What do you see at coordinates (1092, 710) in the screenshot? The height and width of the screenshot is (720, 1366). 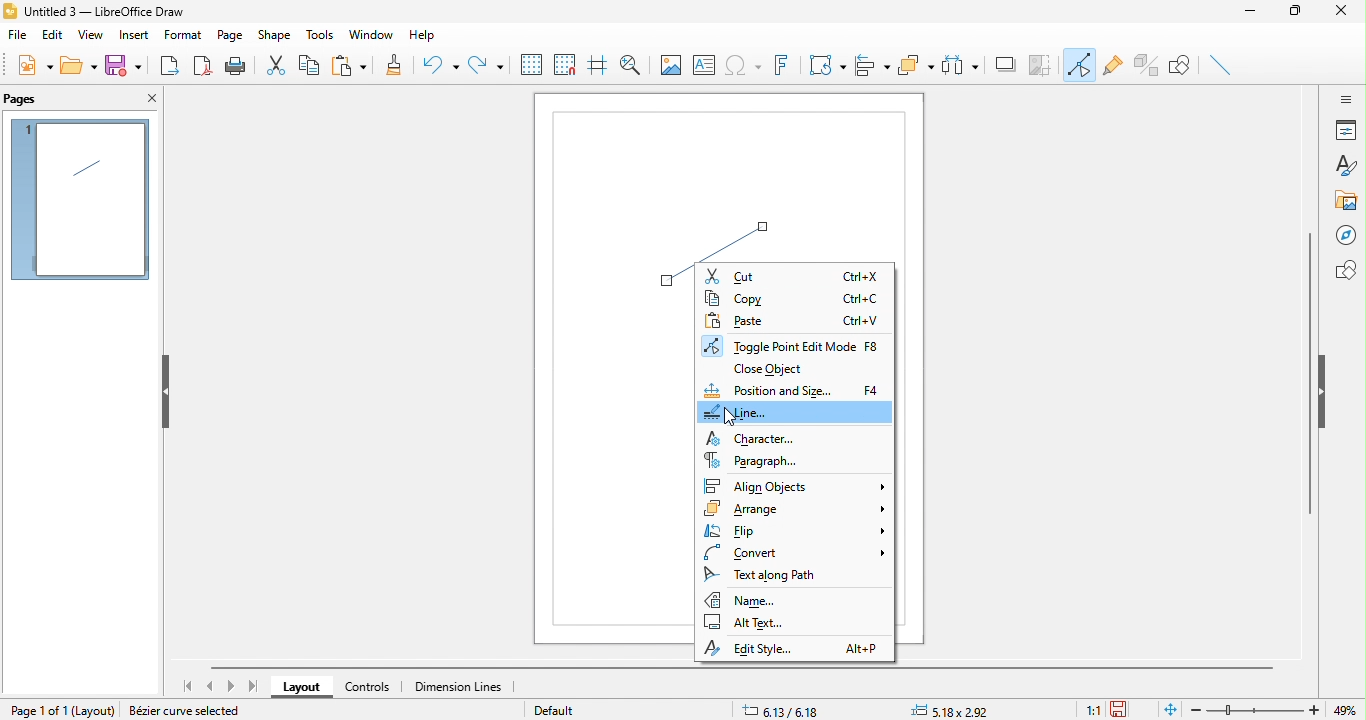 I see `1:1` at bounding box center [1092, 710].